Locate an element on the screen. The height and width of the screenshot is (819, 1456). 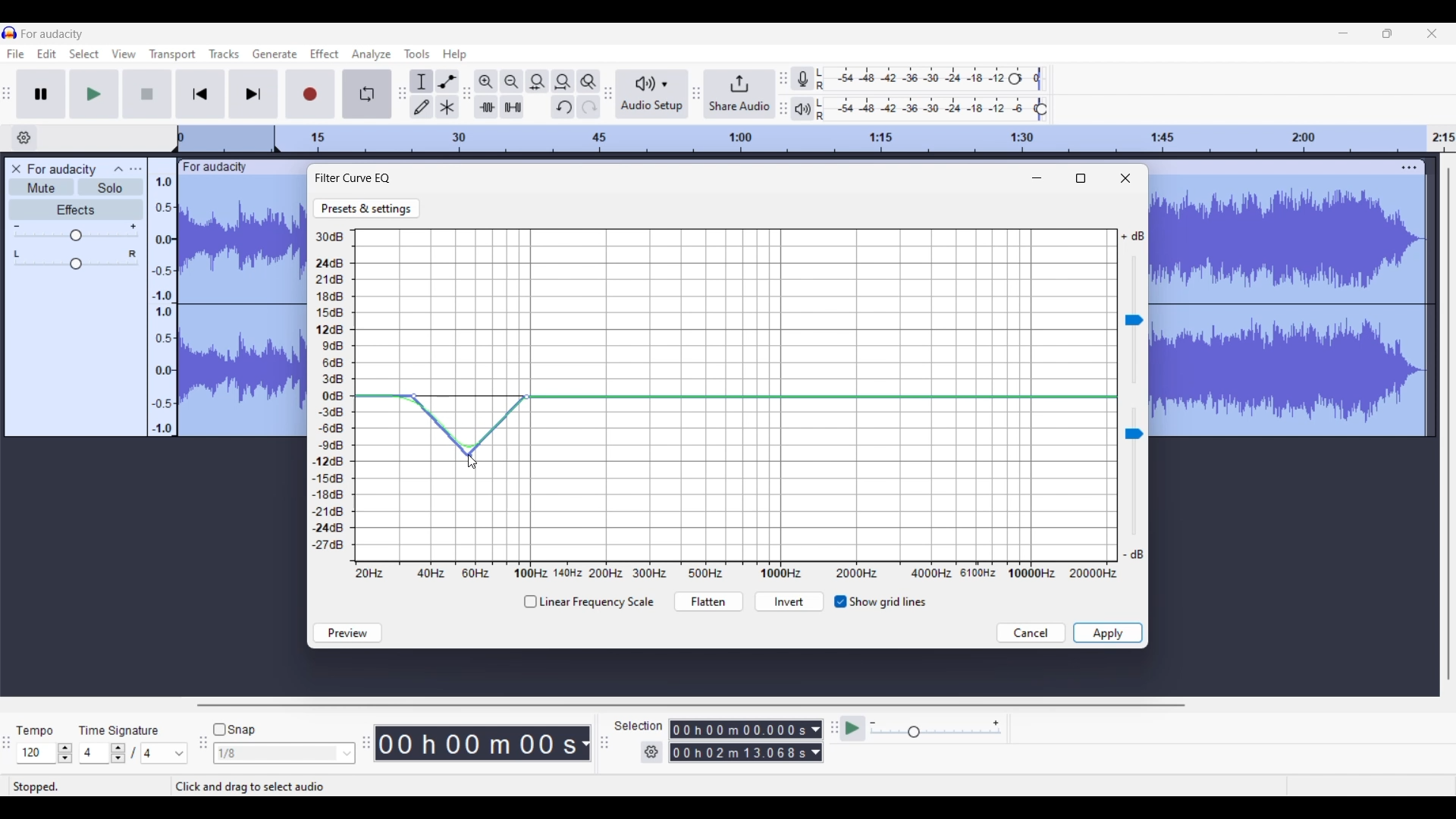
Increase/Decrease tempo is located at coordinates (65, 753).